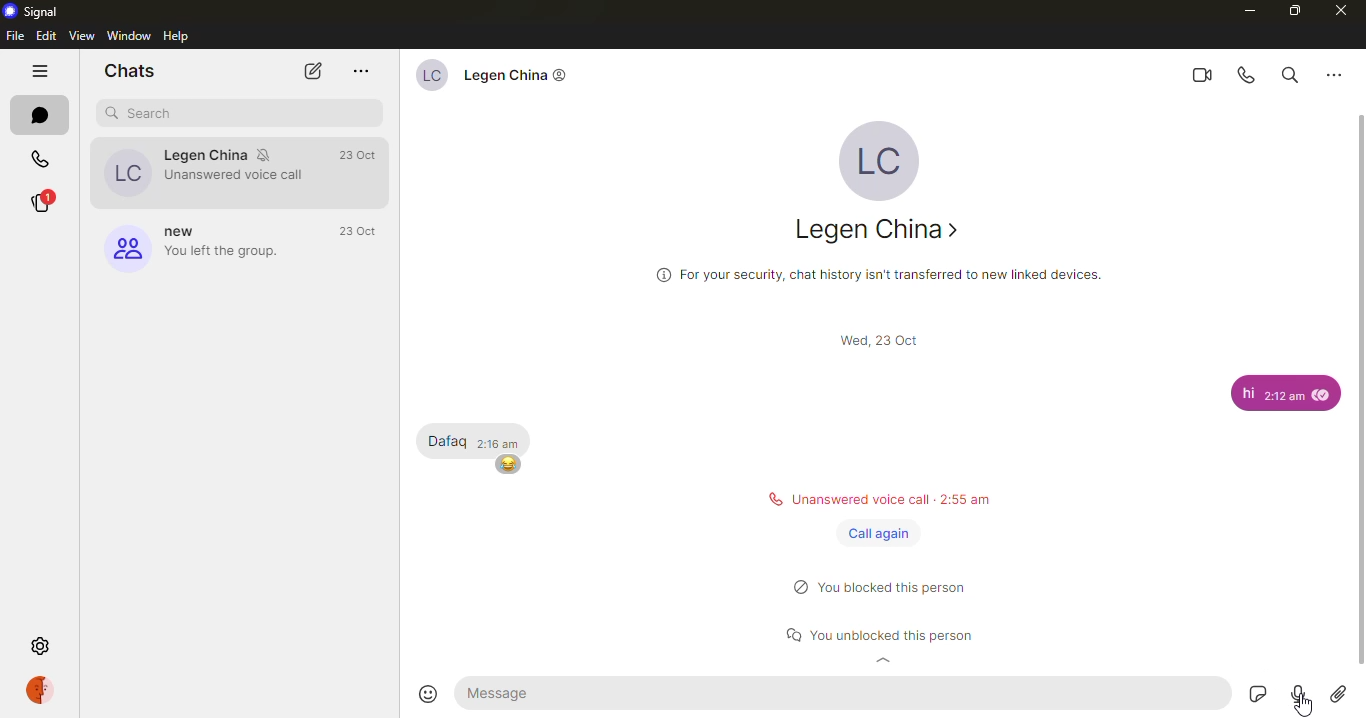 The width and height of the screenshot is (1366, 718). Describe the element at coordinates (1249, 694) in the screenshot. I see `stickers` at that location.